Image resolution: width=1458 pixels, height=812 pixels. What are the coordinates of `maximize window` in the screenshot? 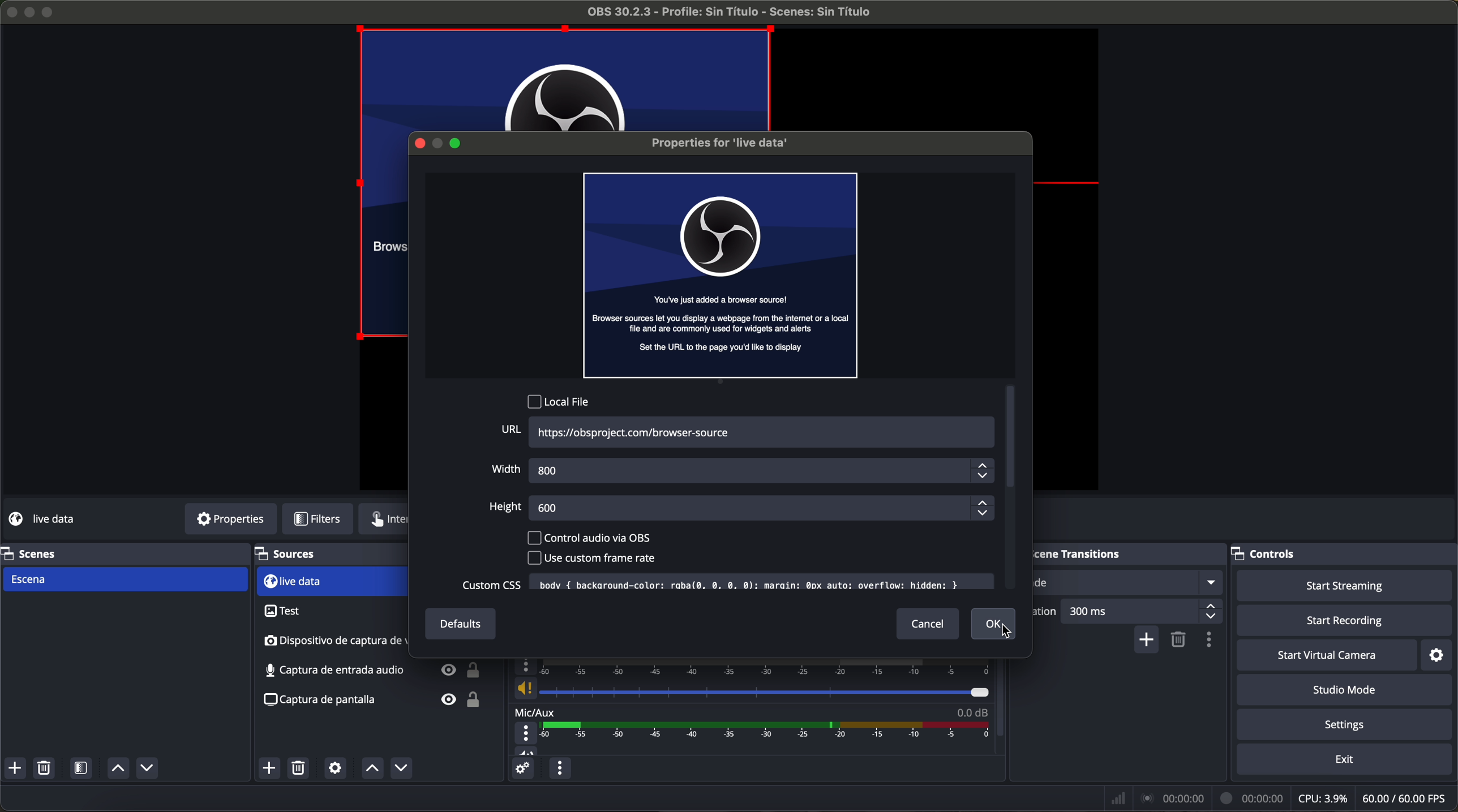 It's located at (460, 143).